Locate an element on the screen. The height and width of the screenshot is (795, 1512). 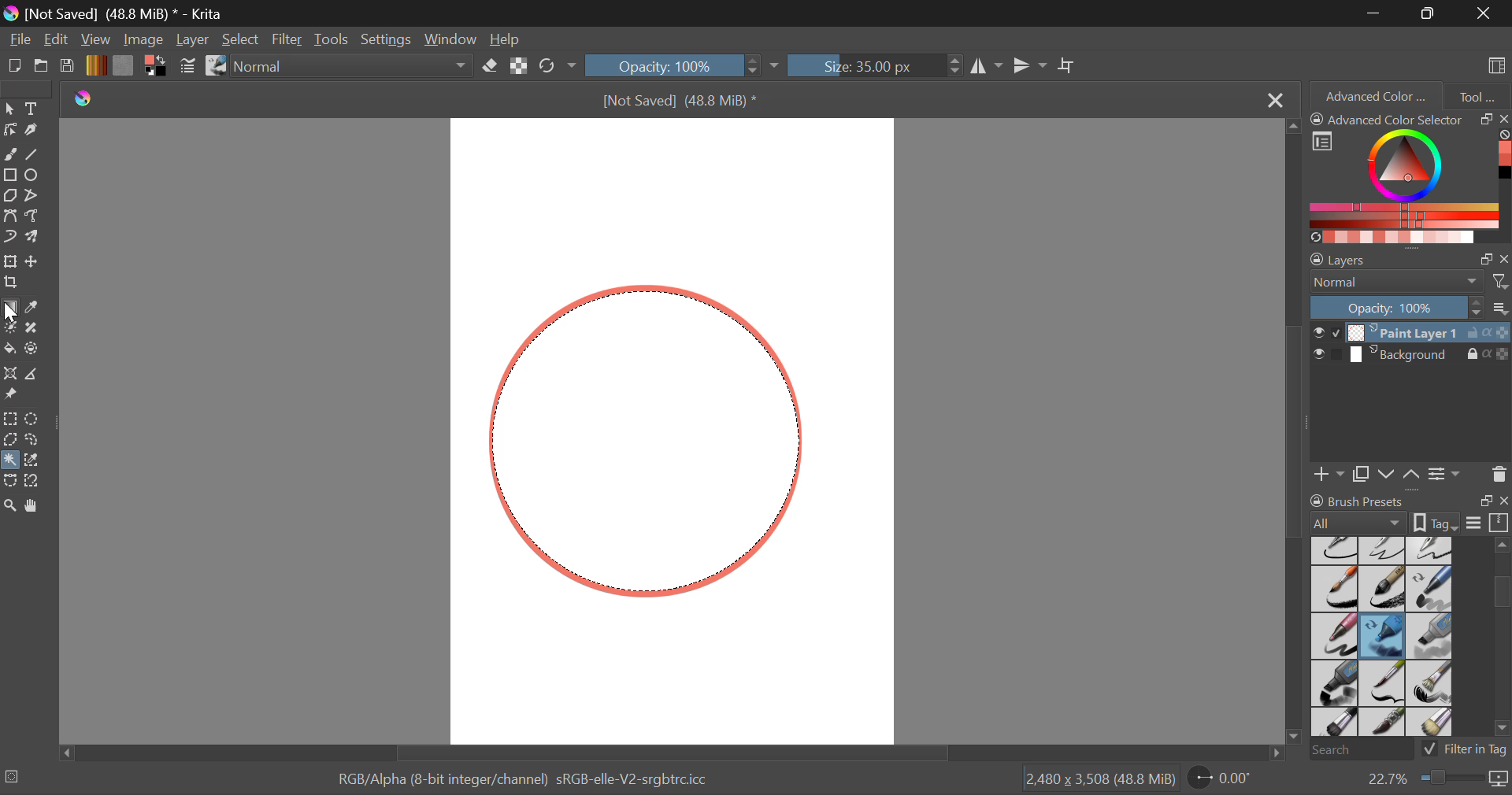
Marker Plain is located at coordinates (1334, 684).